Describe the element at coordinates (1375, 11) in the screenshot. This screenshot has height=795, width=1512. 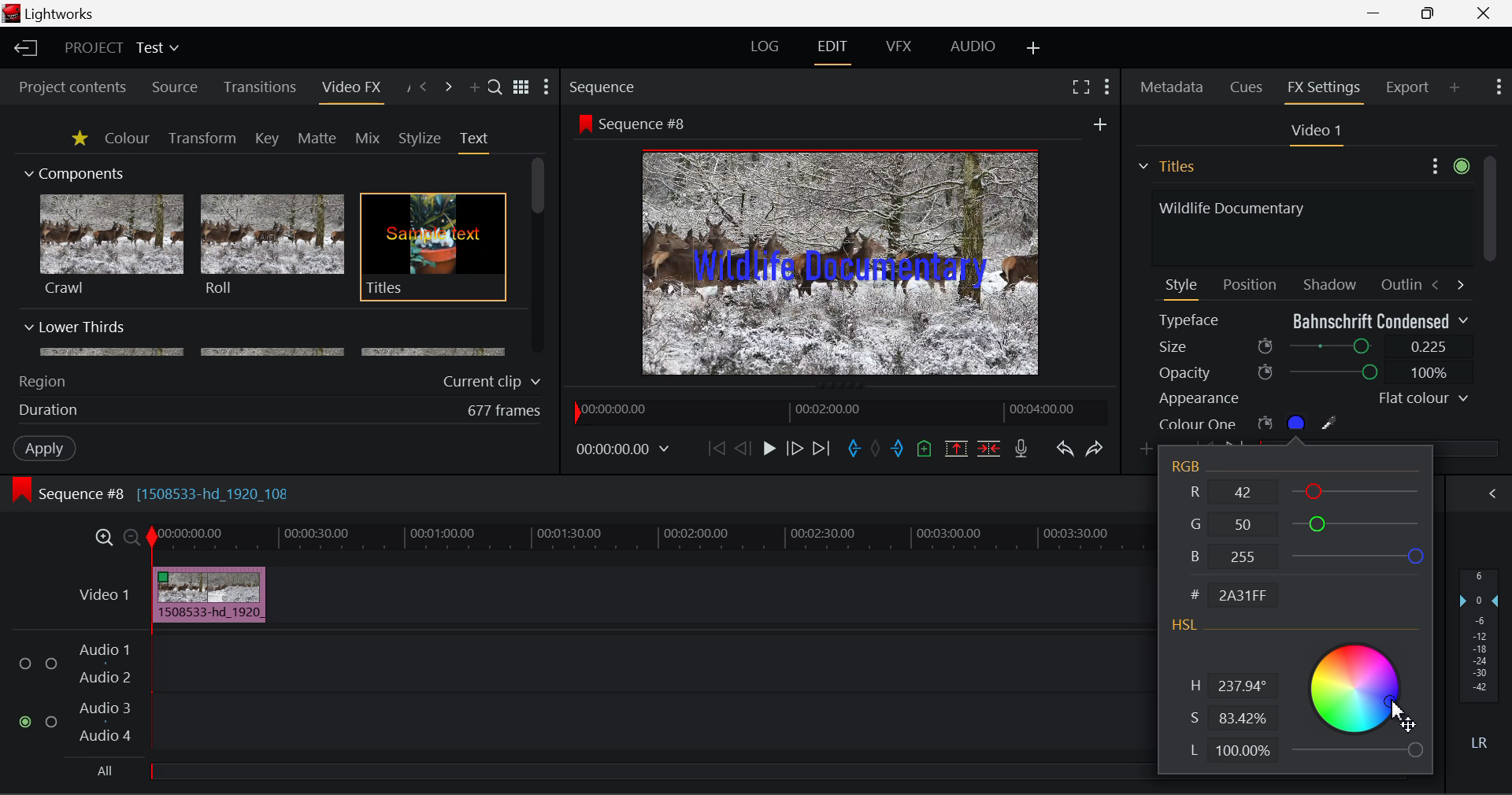
I see `Restore Down` at that location.